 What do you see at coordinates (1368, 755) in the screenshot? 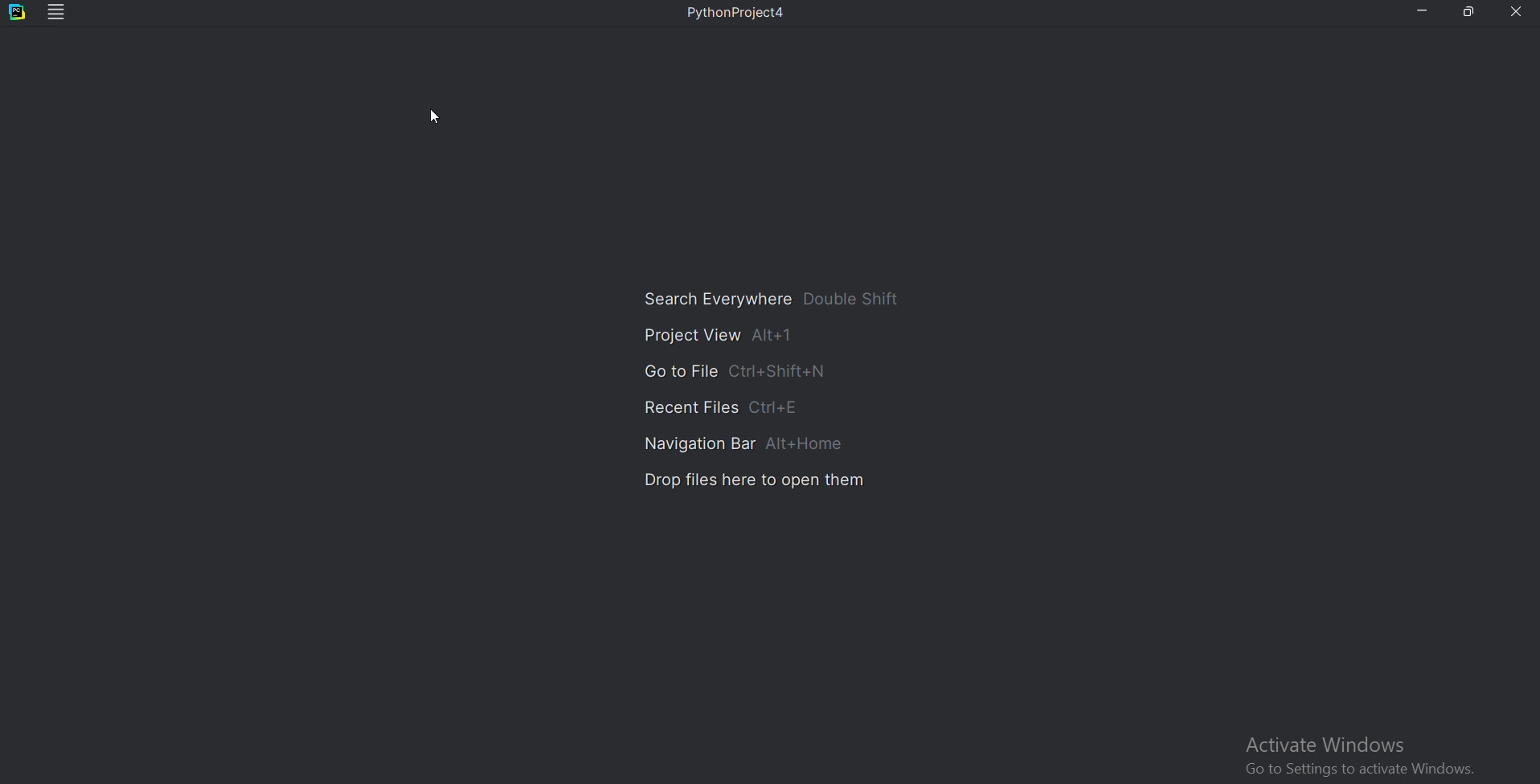
I see `Windows information` at bounding box center [1368, 755].